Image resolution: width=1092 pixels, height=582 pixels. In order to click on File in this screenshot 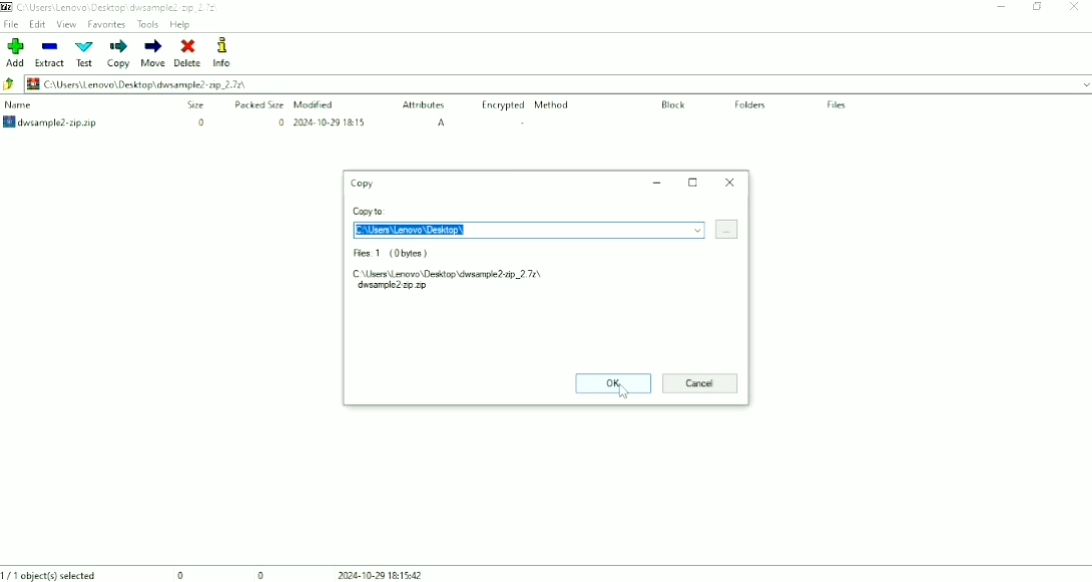, I will do `click(12, 23)`.